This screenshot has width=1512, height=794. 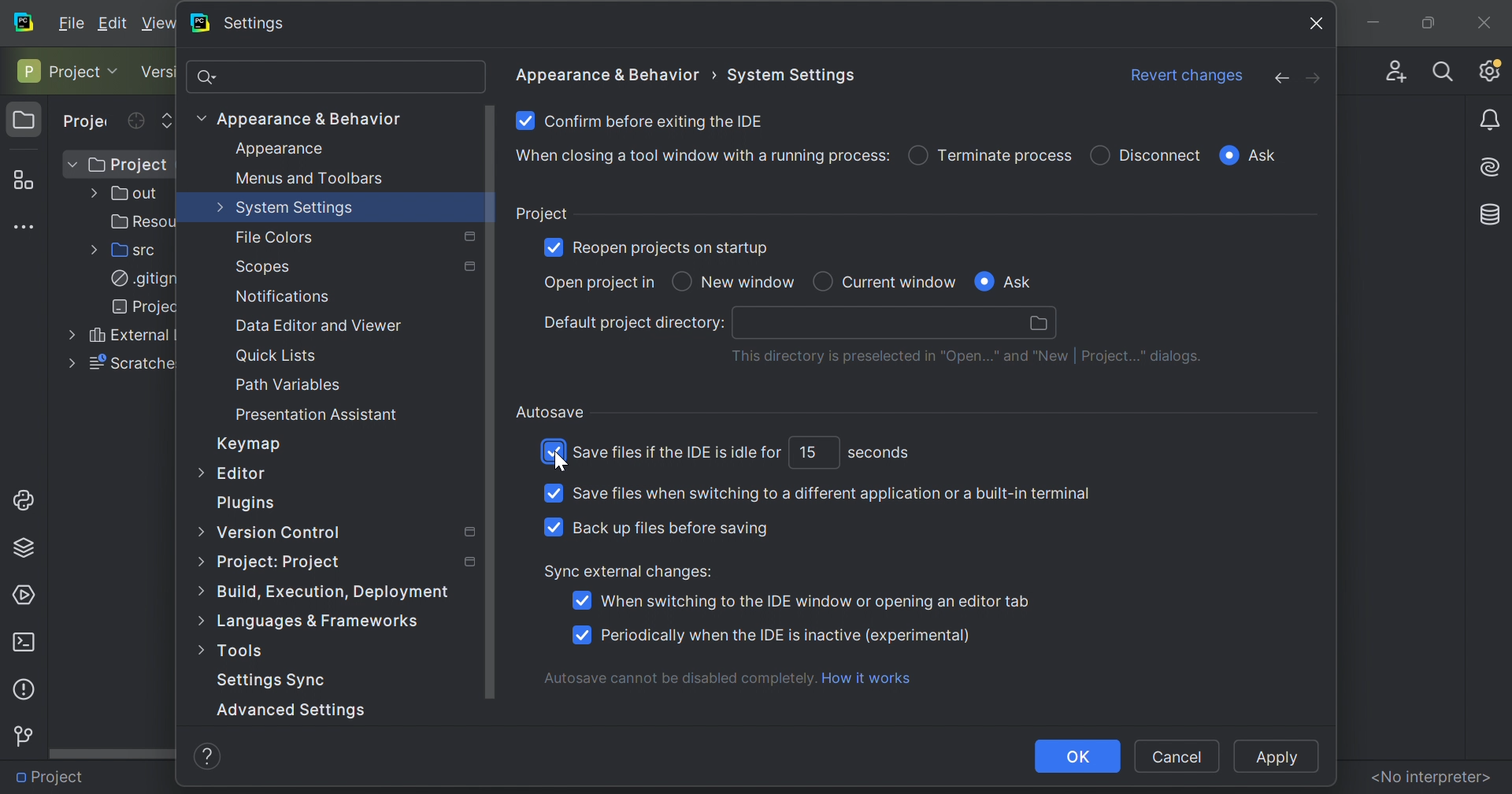 I want to click on This directory is preselected in "Open" and "New | project..." dialogs., so click(x=968, y=358).